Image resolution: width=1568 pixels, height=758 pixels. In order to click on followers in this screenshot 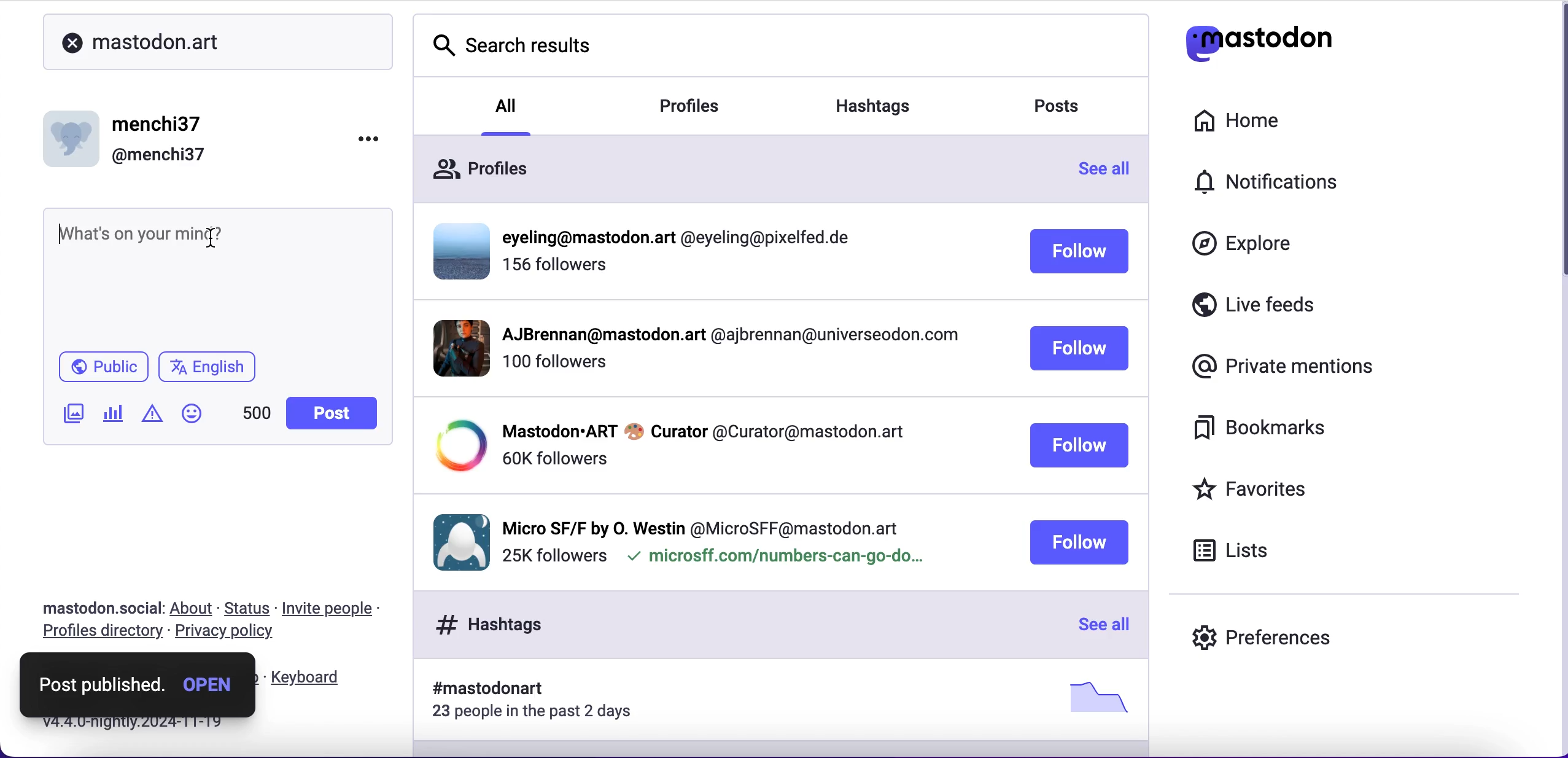, I will do `click(557, 270)`.